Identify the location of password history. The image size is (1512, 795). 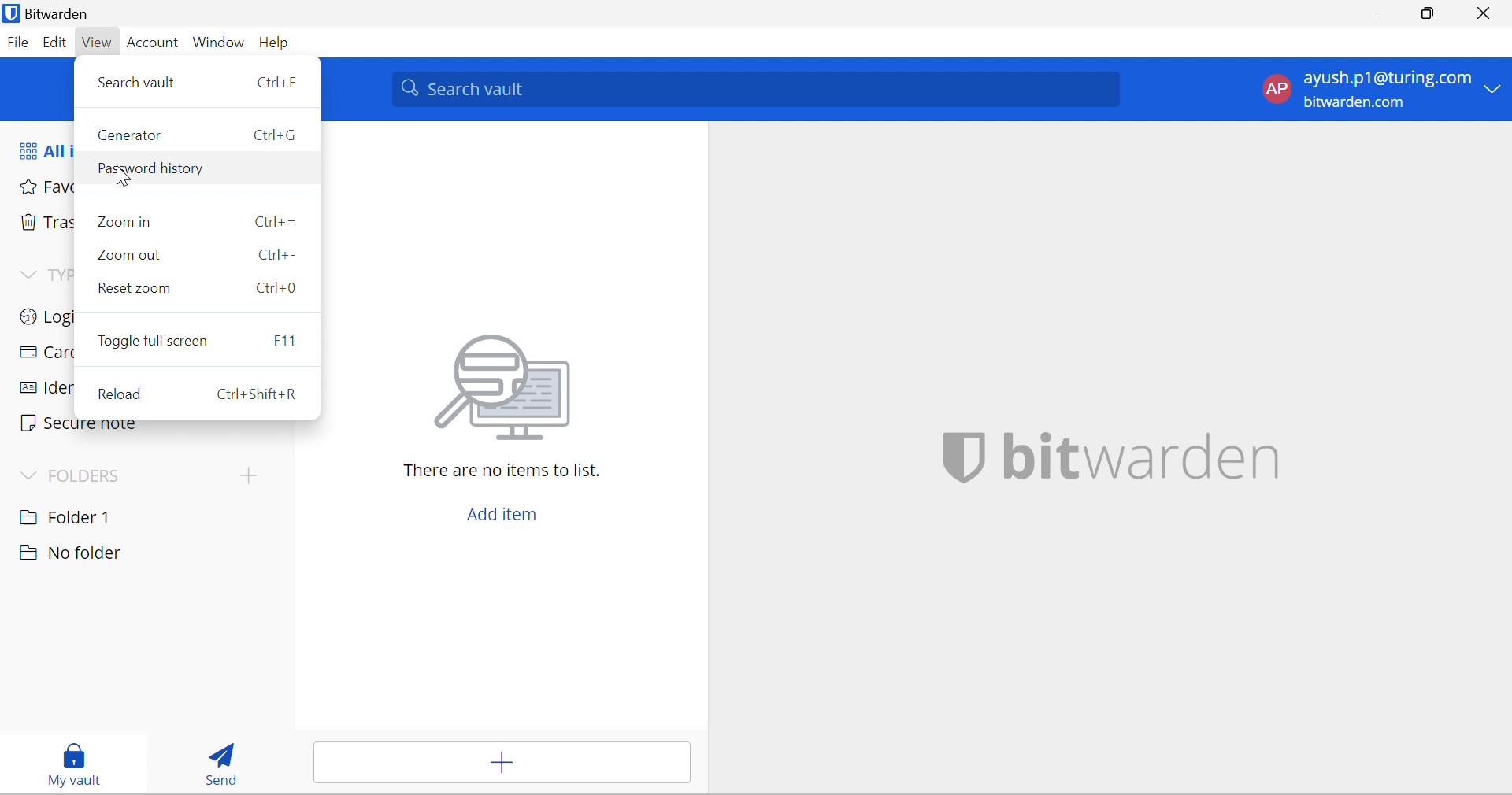
(195, 170).